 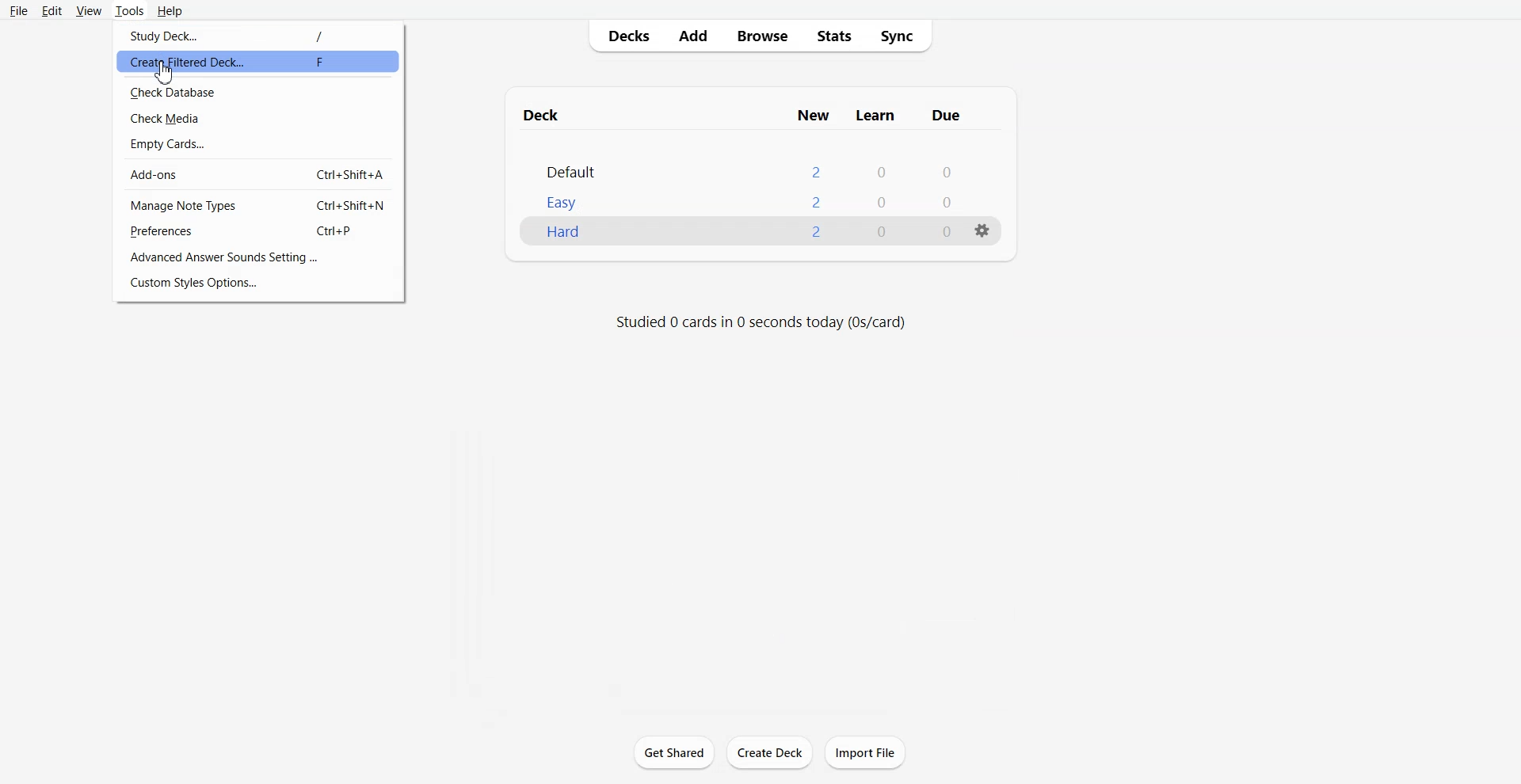 I want to click on Sync, so click(x=902, y=36).